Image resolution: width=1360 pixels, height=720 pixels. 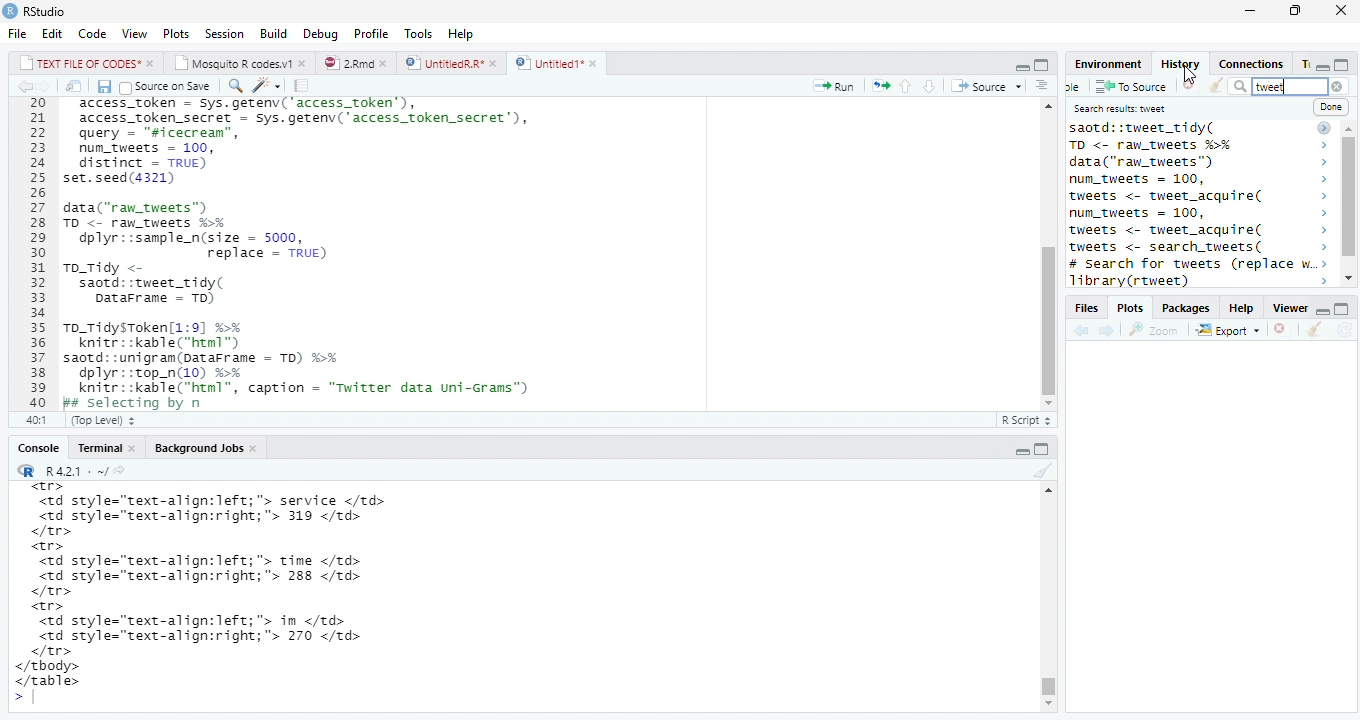 I want to click on minimze/maximize, so click(x=1020, y=63).